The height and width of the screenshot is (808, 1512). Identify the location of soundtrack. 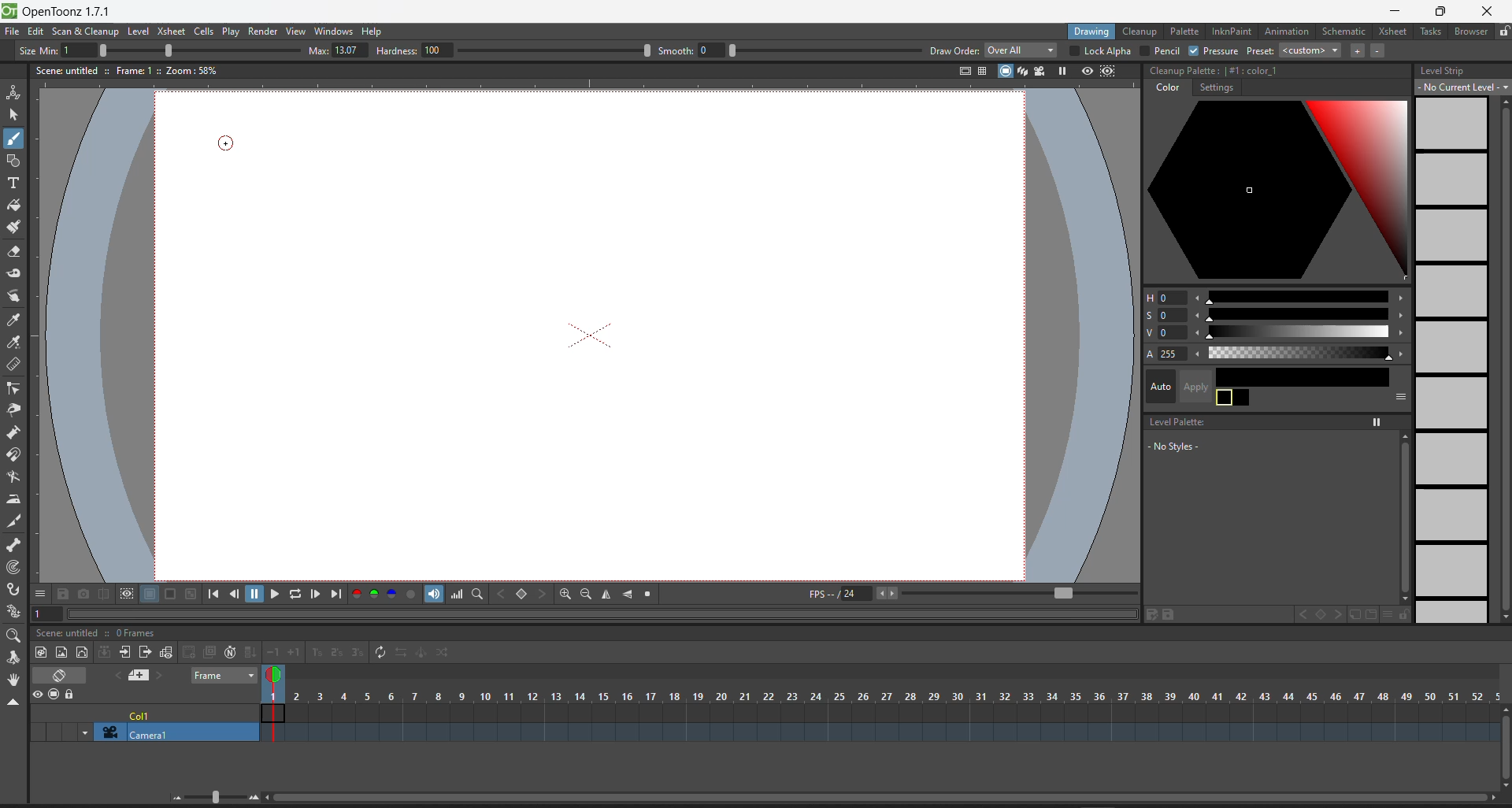
(434, 593).